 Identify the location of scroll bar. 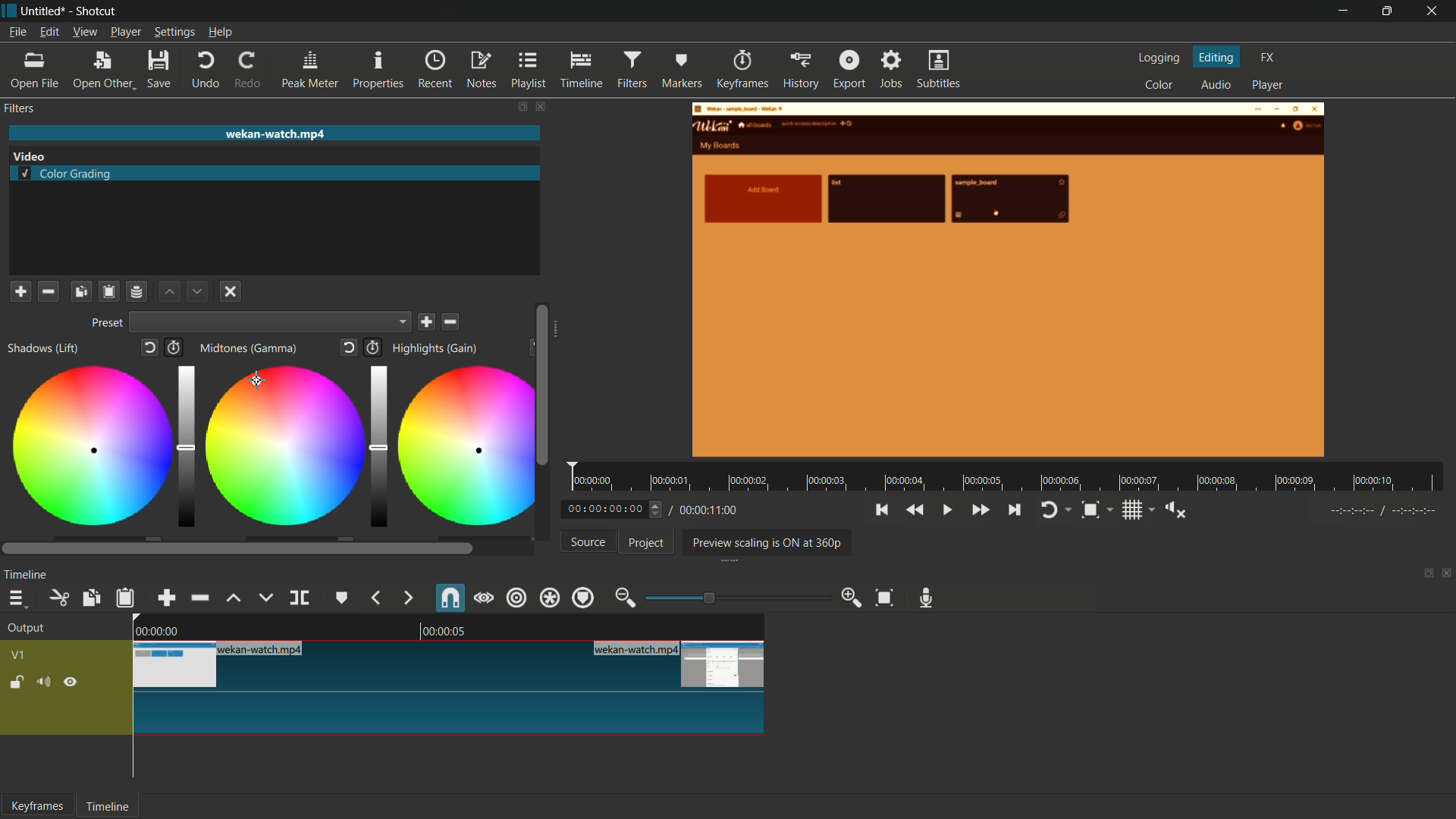
(238, 549).